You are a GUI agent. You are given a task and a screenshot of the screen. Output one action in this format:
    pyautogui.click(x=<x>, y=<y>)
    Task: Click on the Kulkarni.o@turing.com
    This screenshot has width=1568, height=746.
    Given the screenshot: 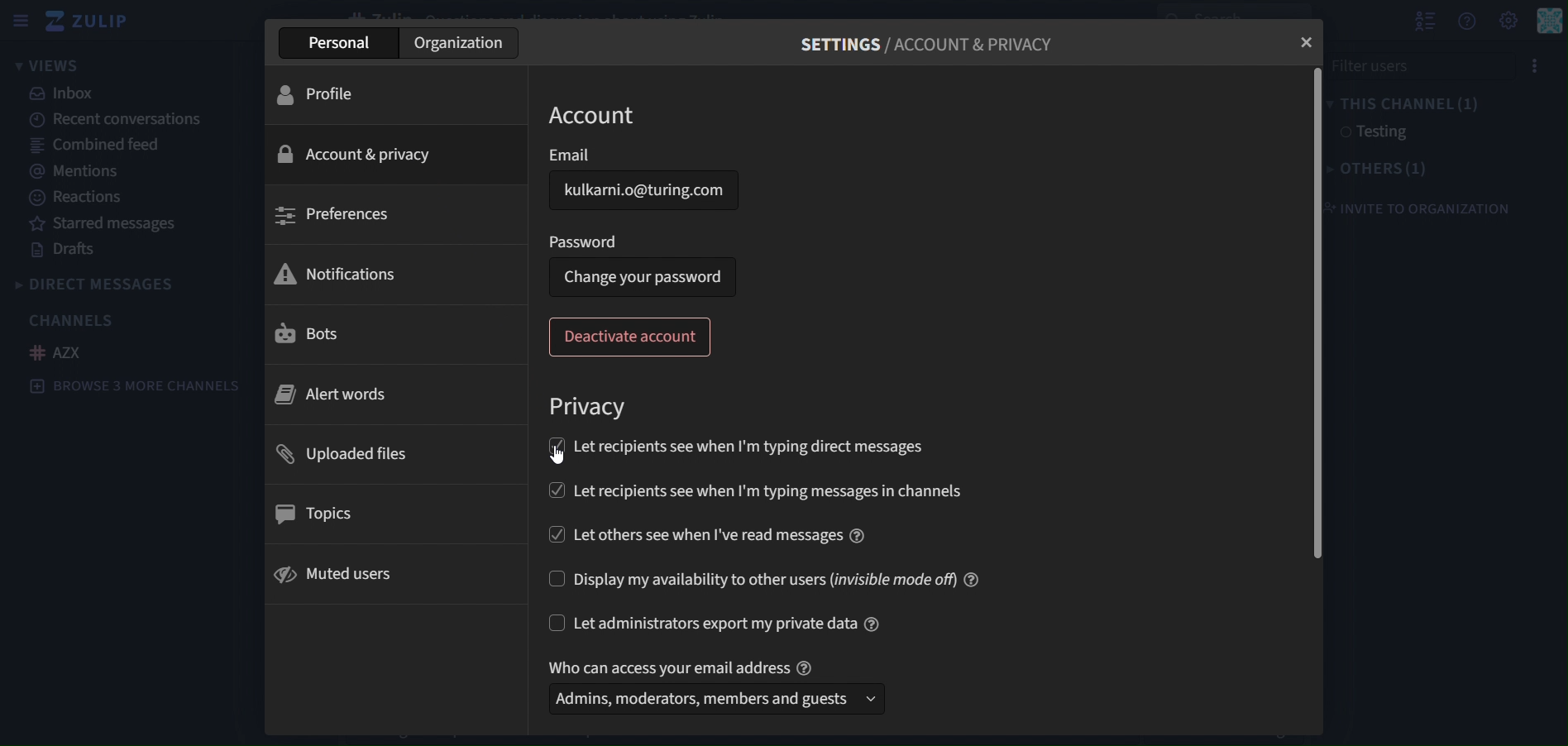 What is the action you would take?
    pyautogui.click(x=635, y=189)
    